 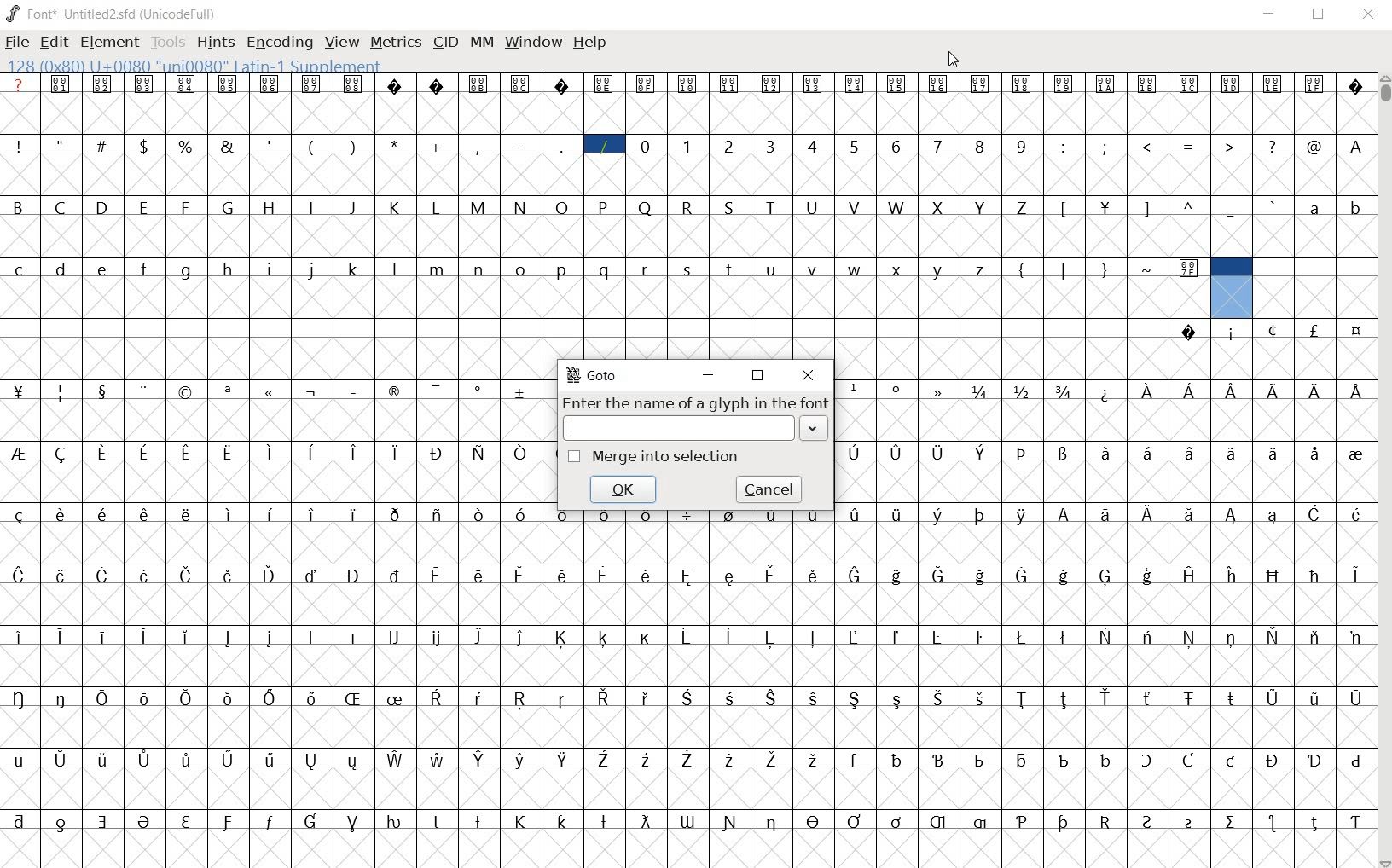 I want to click on Symbol, so click(x=687, y=638).